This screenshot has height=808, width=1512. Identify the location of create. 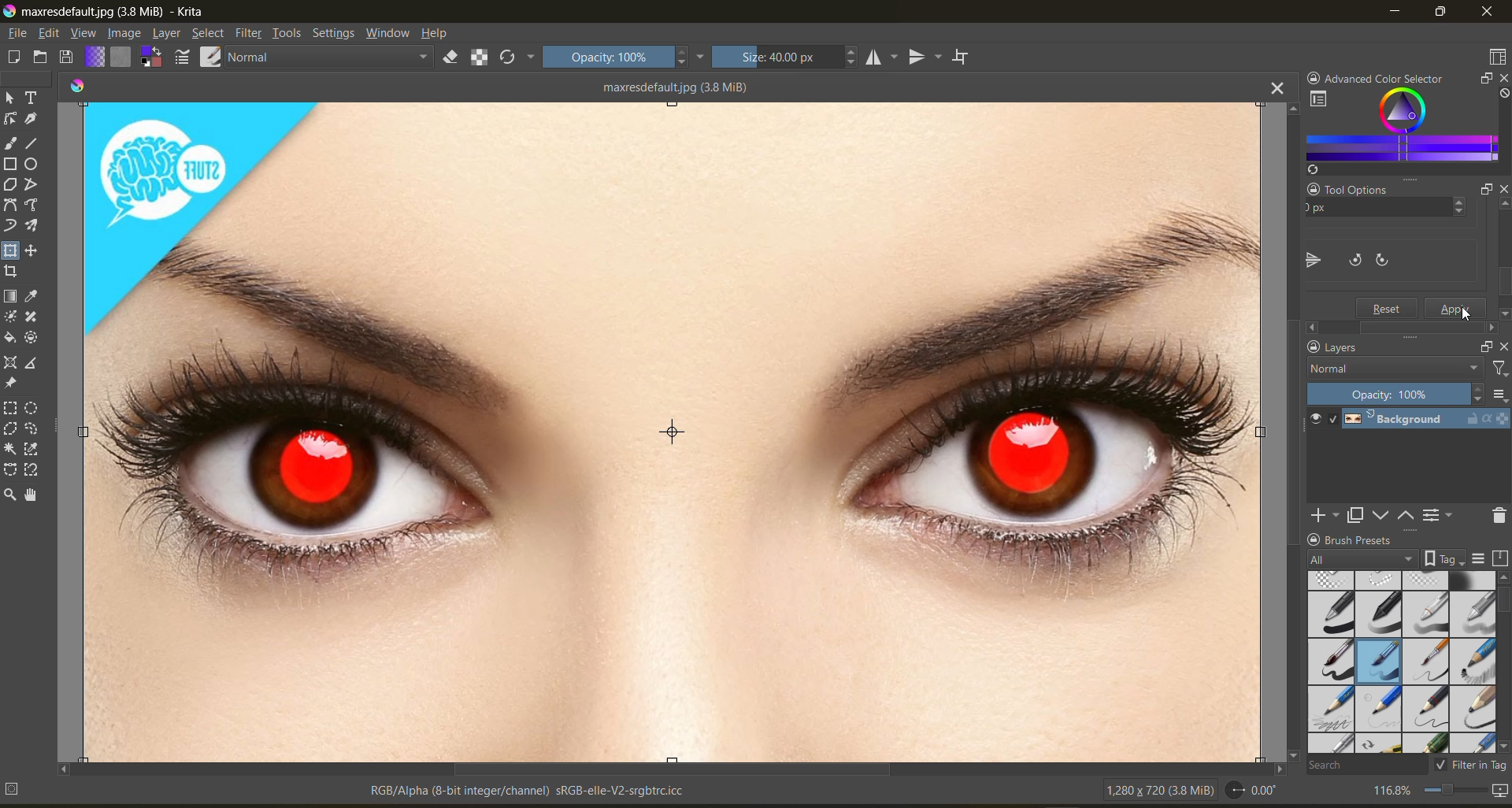
(13, 59).